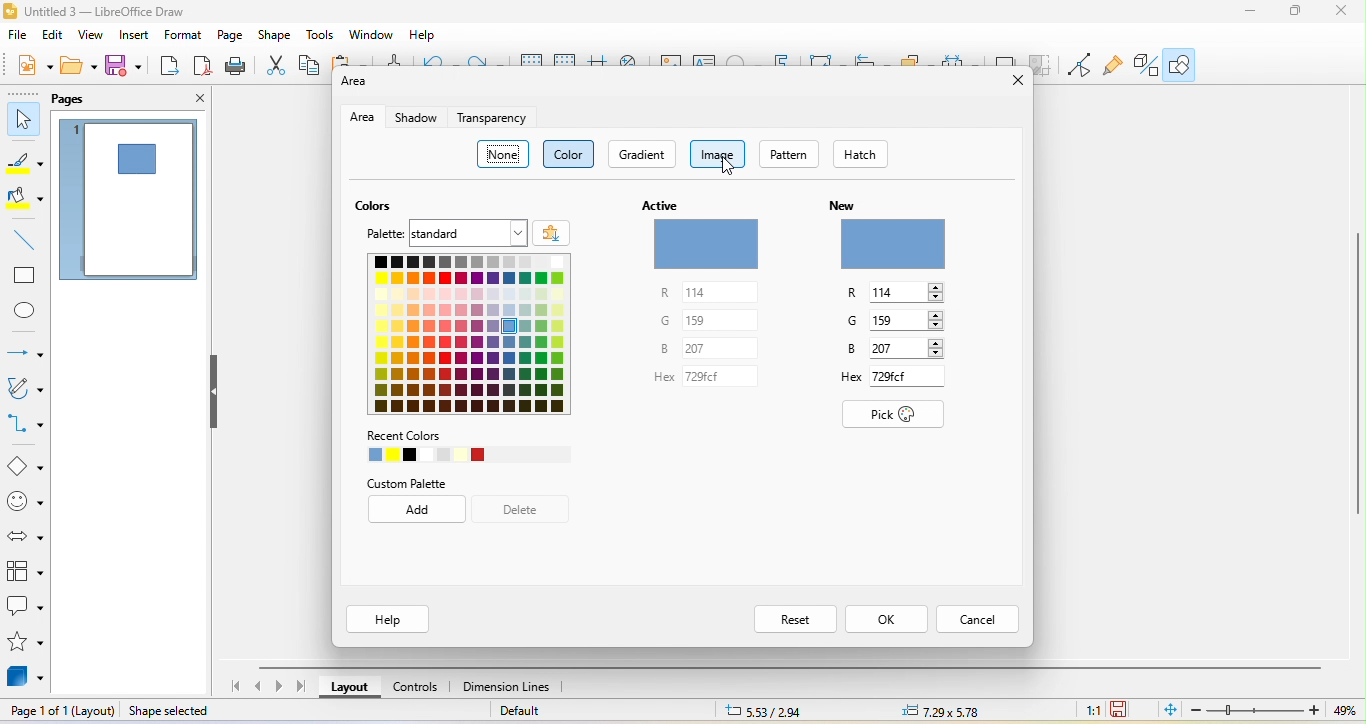 This screenshot has height=724, width=1366. Describe the element at coordinates (785, 58) in the screenshot. I see `fontwork text` at that location.